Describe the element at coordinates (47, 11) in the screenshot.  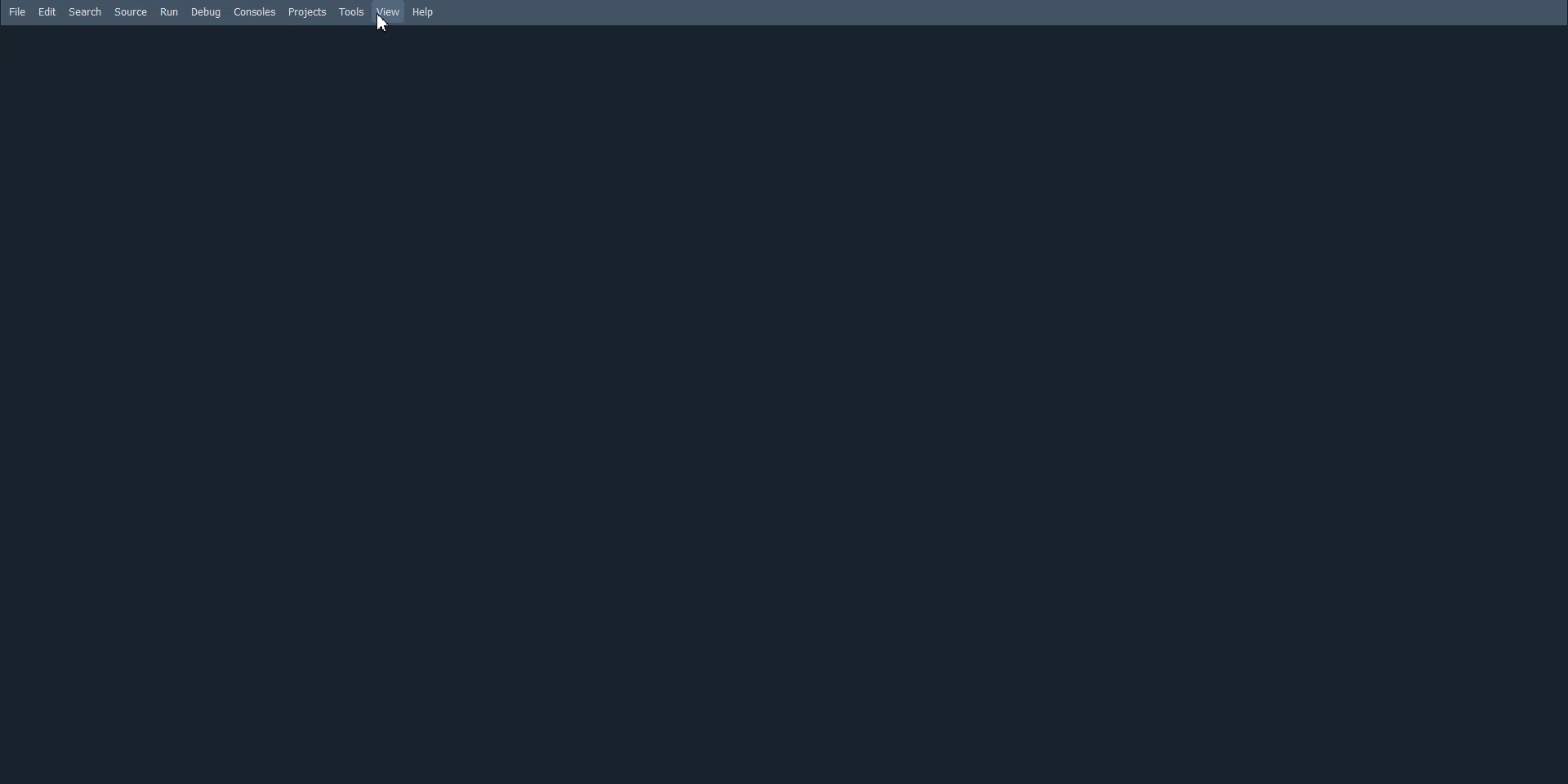
I see `Edit` at that location.